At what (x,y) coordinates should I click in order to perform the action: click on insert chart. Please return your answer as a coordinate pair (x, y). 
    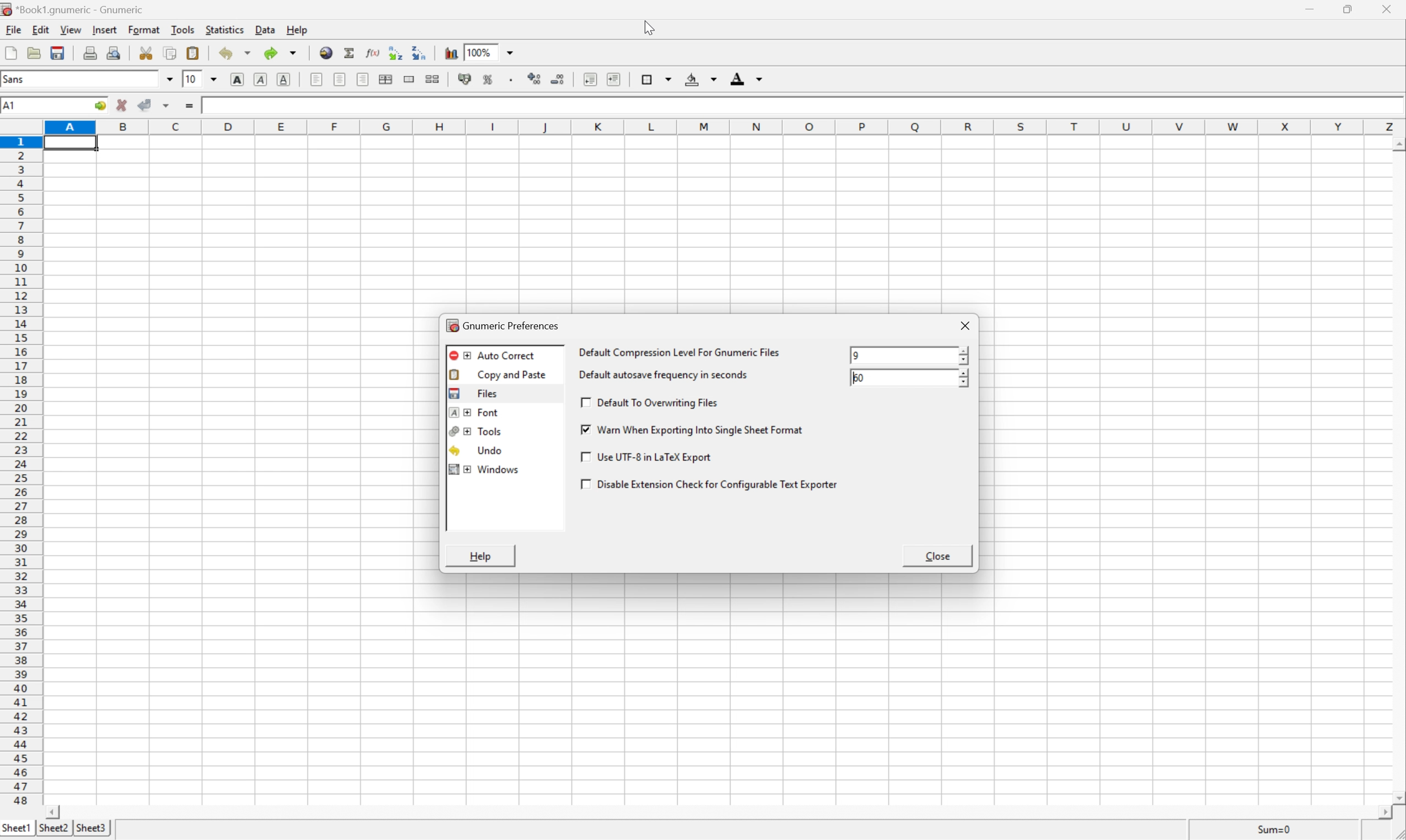
    Looking at the image, I should click on (451, 52).